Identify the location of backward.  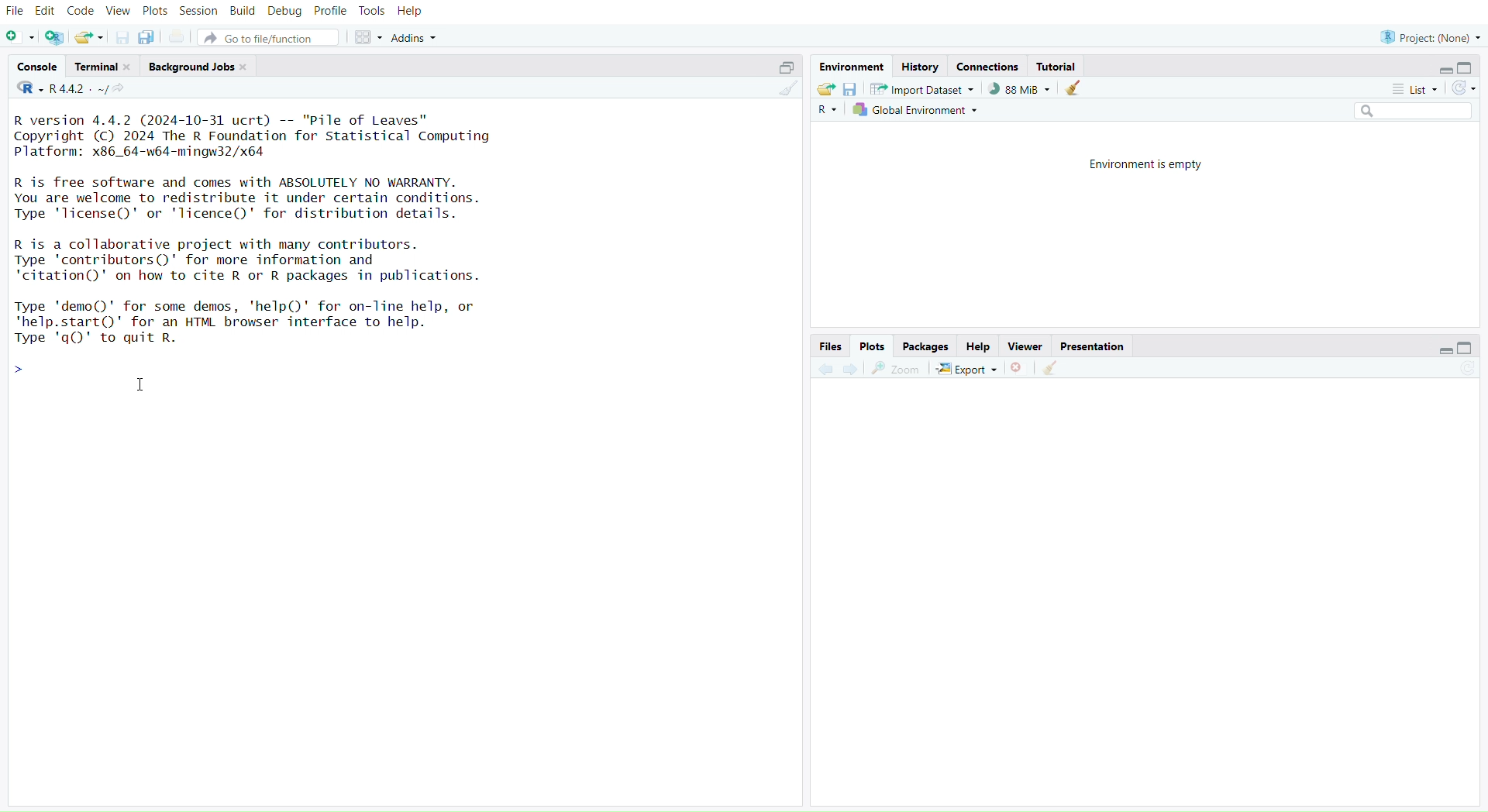
(825, 368).